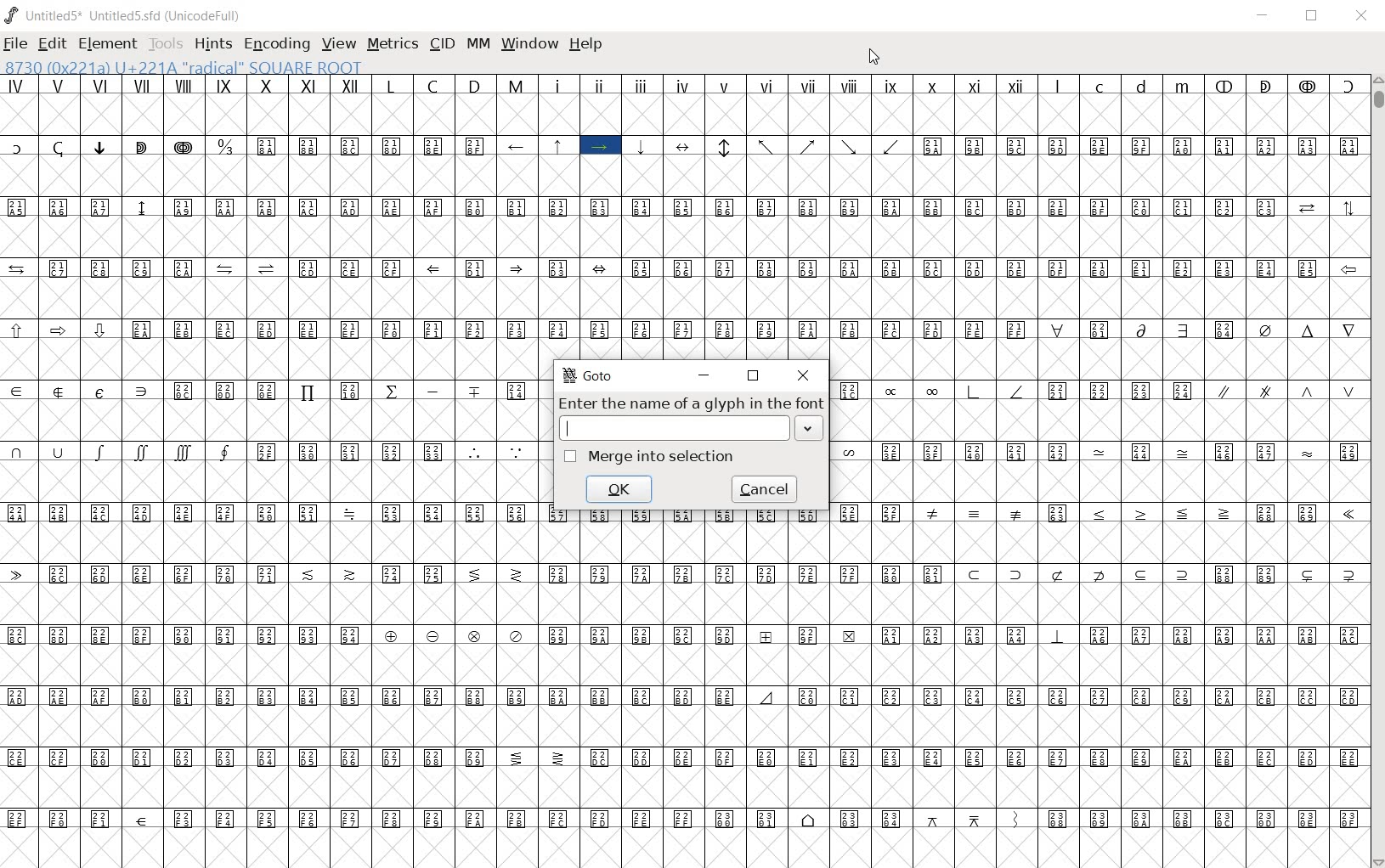  Describe the element at coordinates (529, 44) in the screenshot. I see `WINDOW` at that location.